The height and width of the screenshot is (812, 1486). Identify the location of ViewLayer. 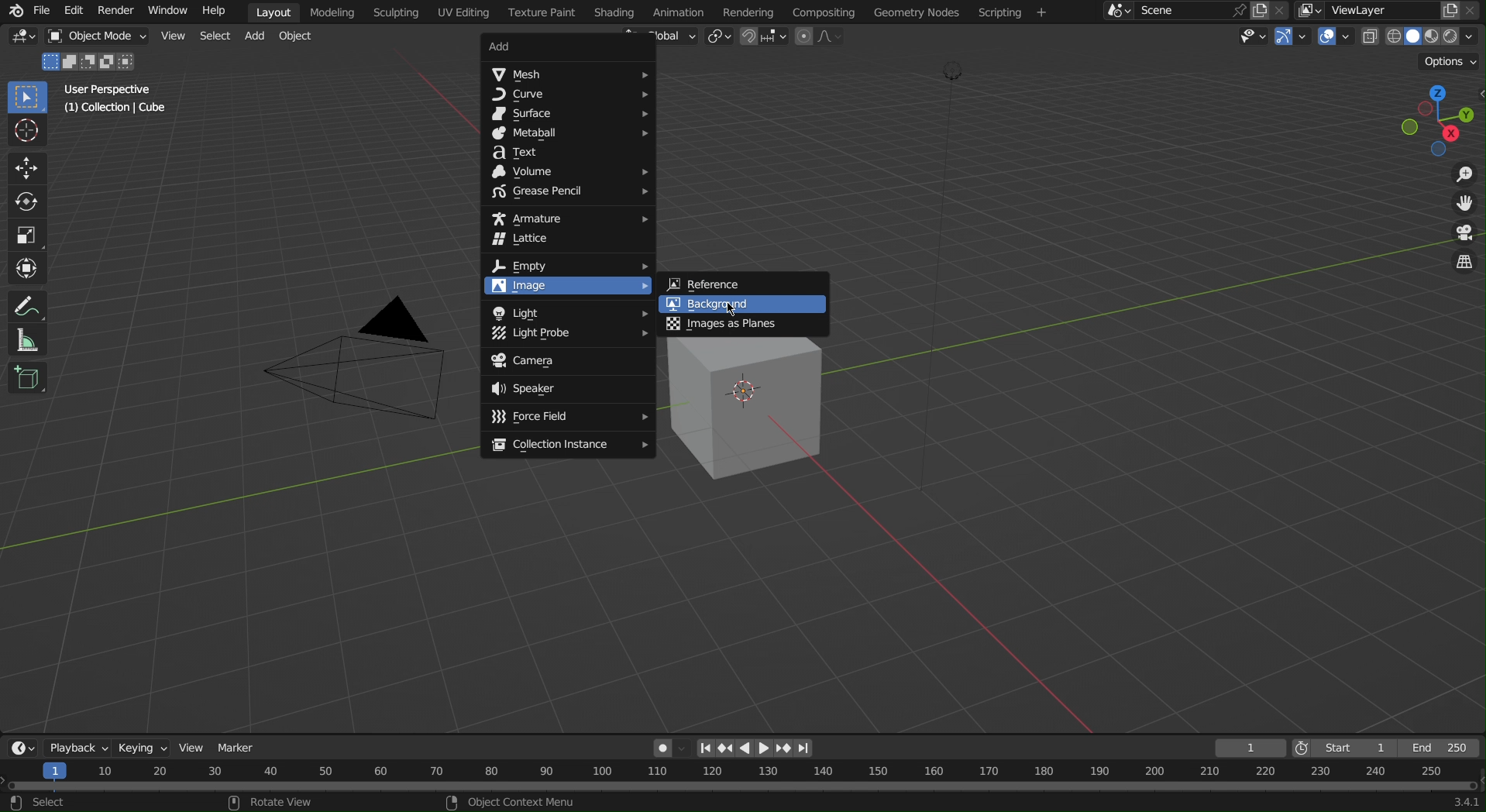
(1391, 11).